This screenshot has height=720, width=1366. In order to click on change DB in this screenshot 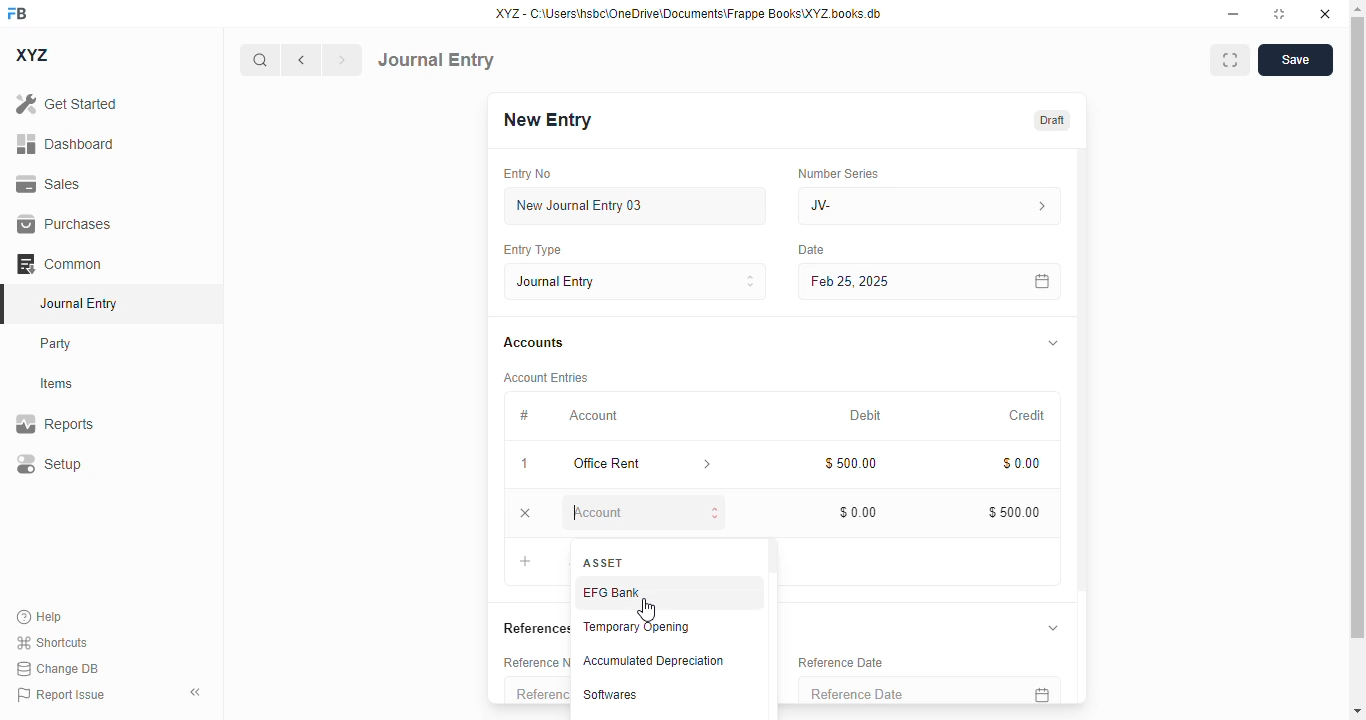, I will do `click(58, 668)`.